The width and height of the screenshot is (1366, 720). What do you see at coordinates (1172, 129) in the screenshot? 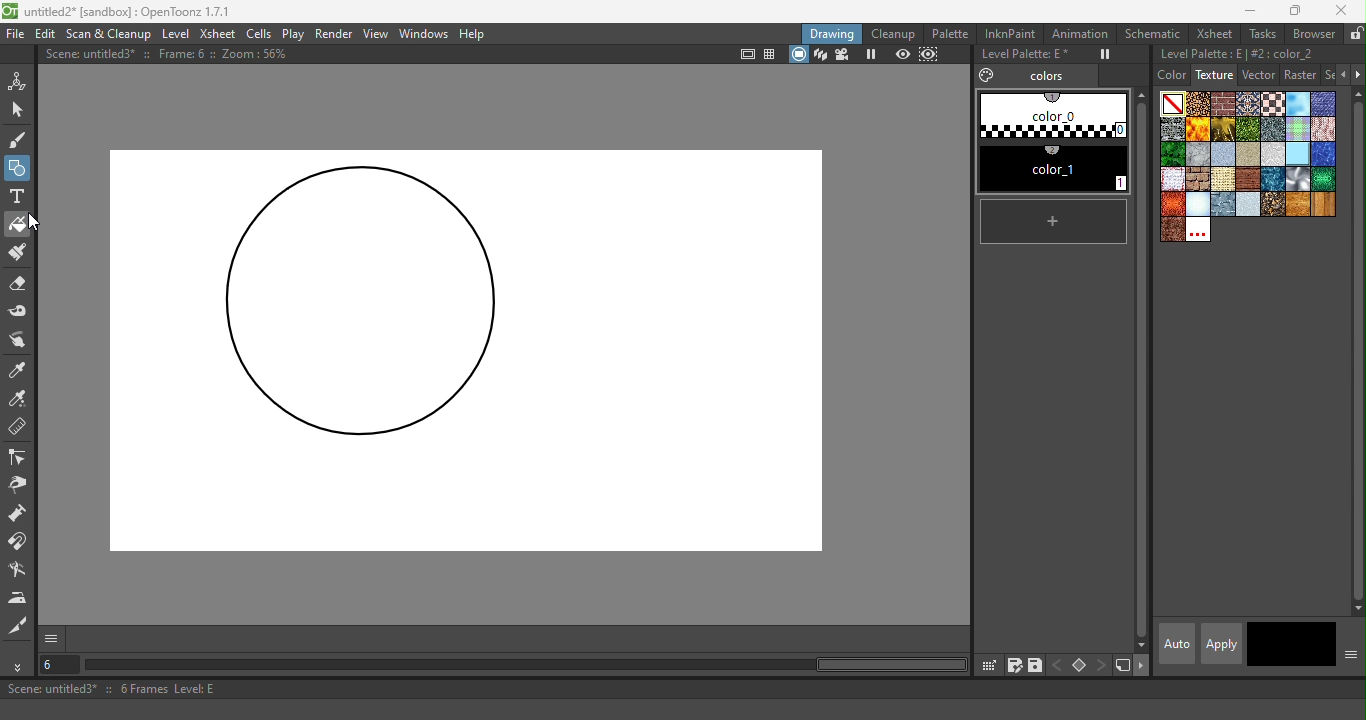
I see `Drystonewall.bmp` at bounding box center [1172, 129].